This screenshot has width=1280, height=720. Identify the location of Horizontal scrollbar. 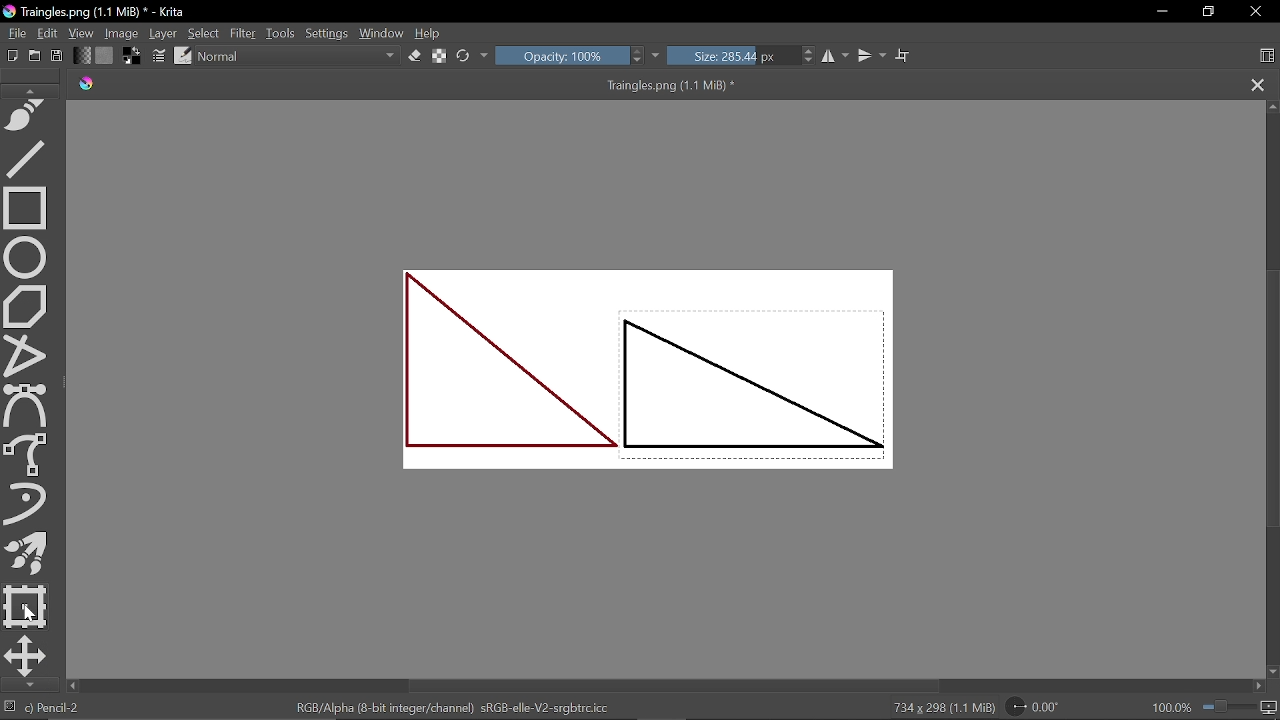
(675, 686).